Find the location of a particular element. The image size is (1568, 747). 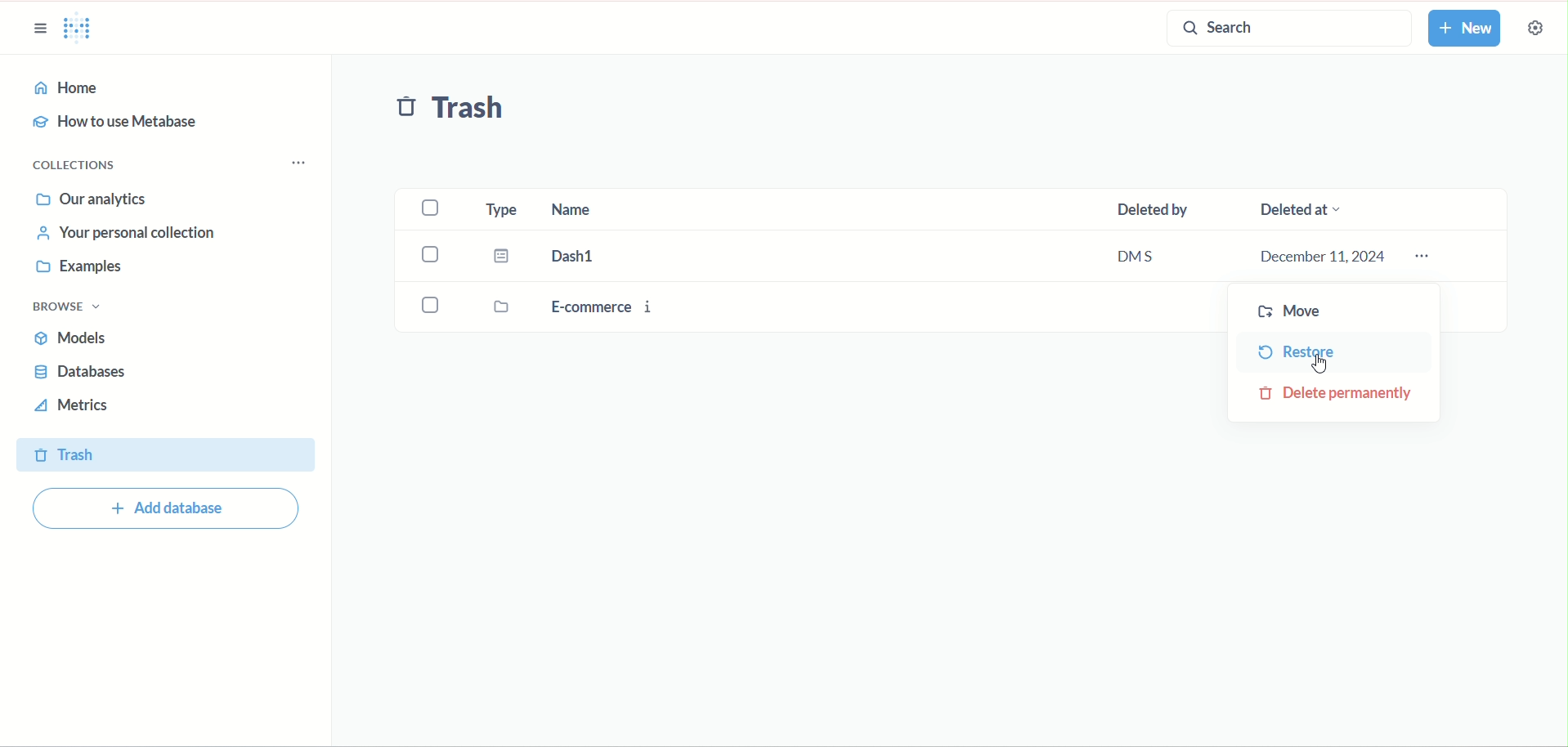

settings is located at coordinates (1534, 27).